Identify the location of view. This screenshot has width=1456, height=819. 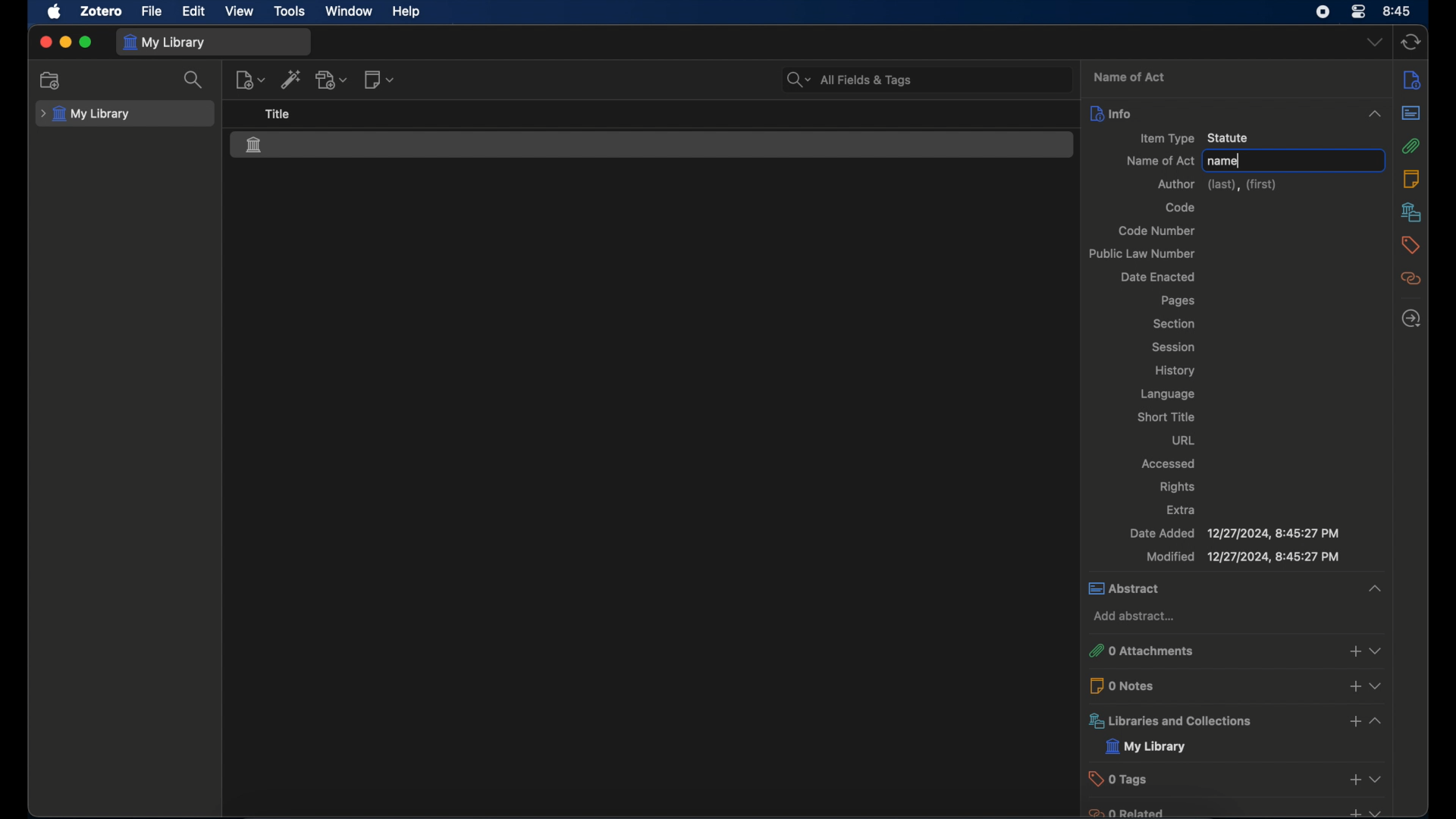
(240, 11).